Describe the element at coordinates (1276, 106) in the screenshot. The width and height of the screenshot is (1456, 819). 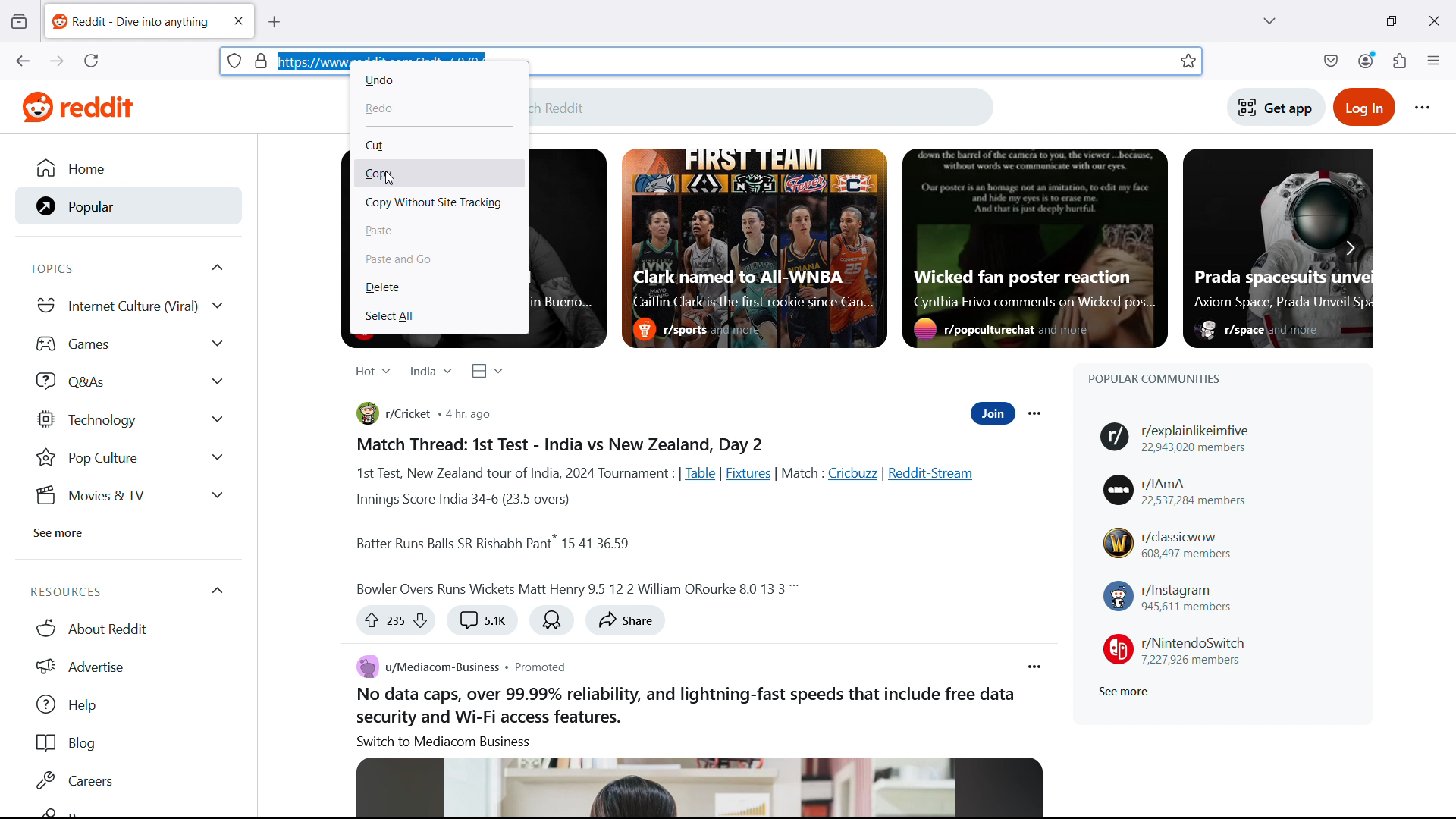
I see `Get app` at that location.